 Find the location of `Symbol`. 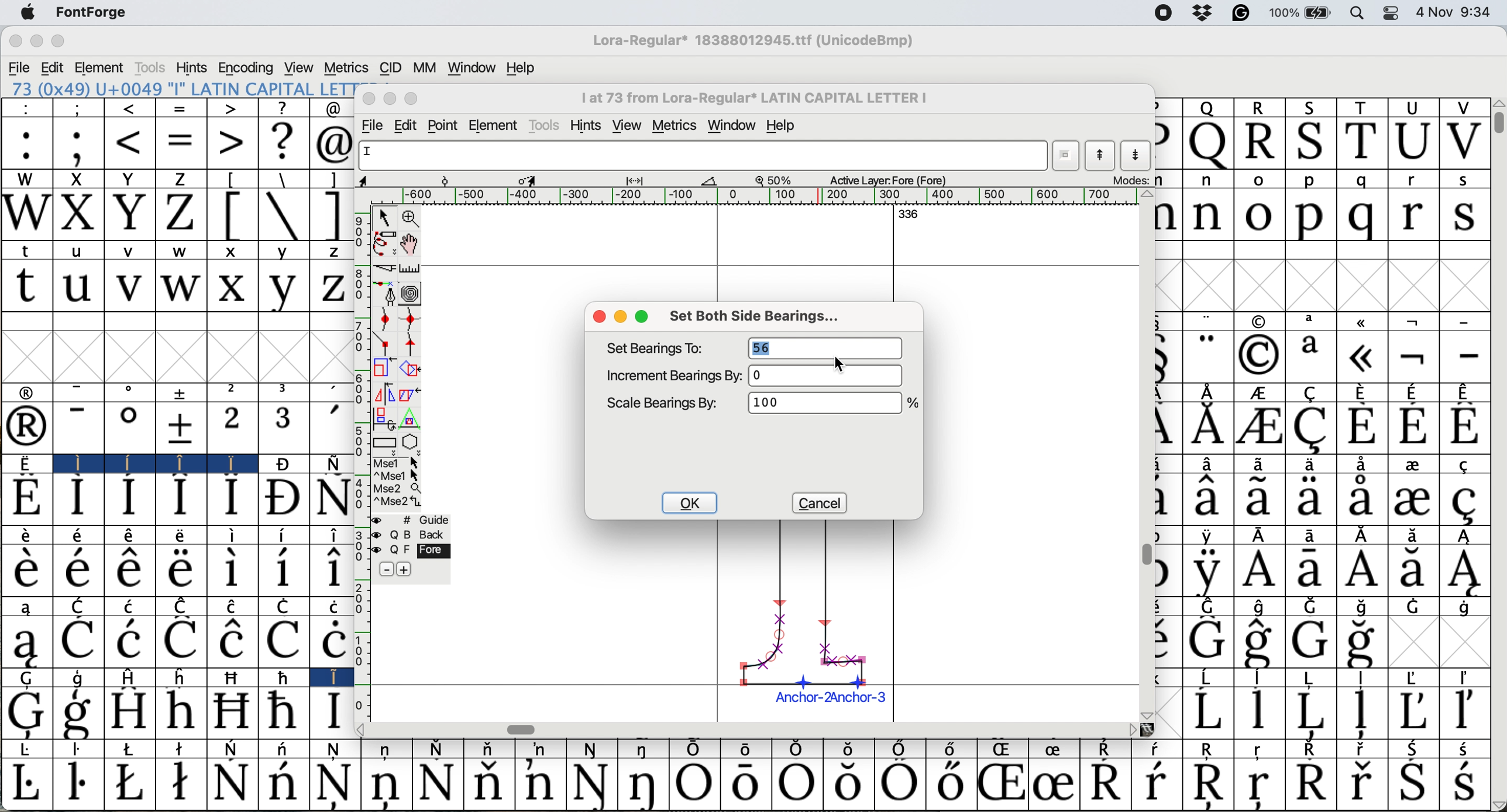

Symbol is located at coordinates (1157, 782).